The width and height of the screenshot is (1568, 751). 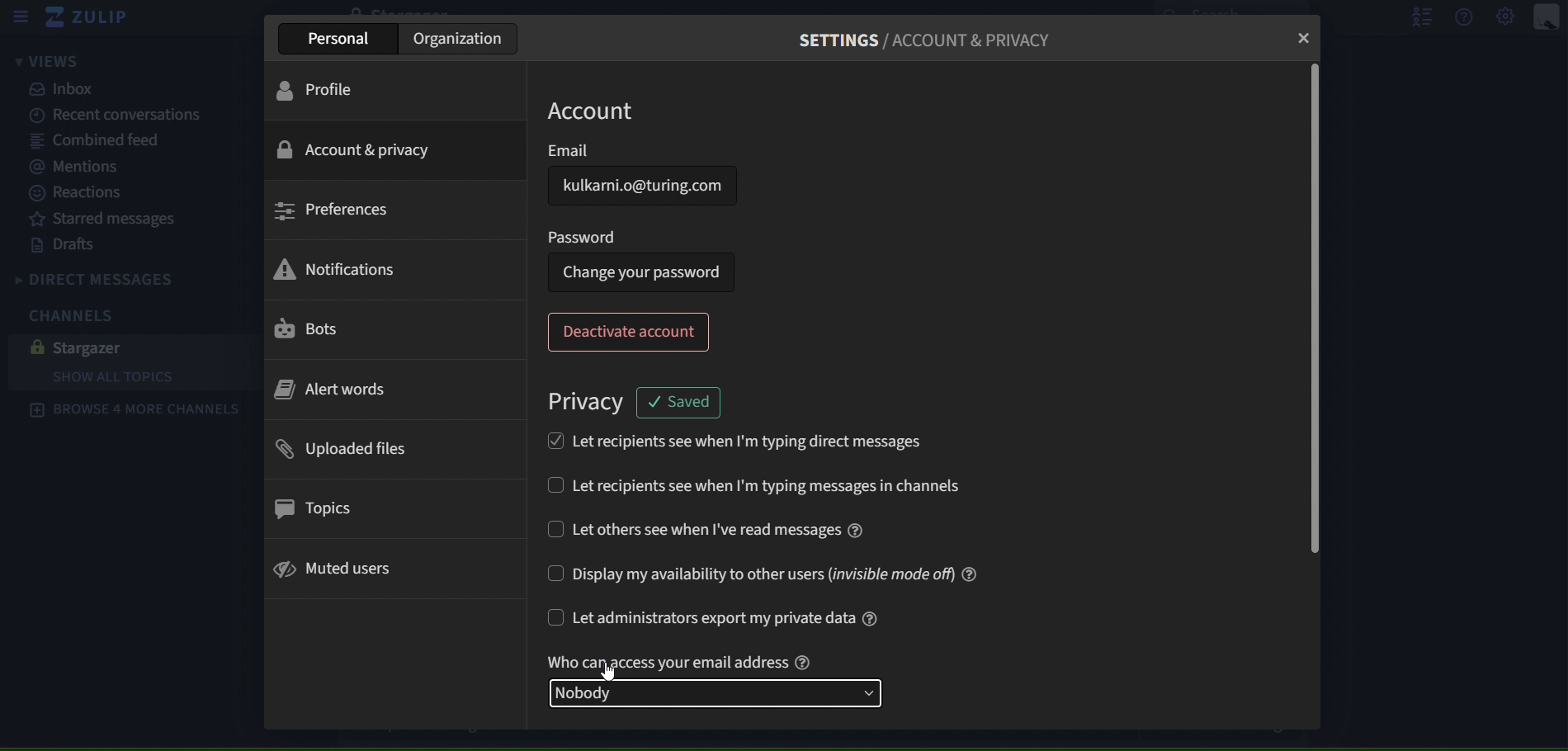 What do you see at coordinates (342, 450) in the screenshot?
I see `uploaded files` at bounding box center [342, 450].